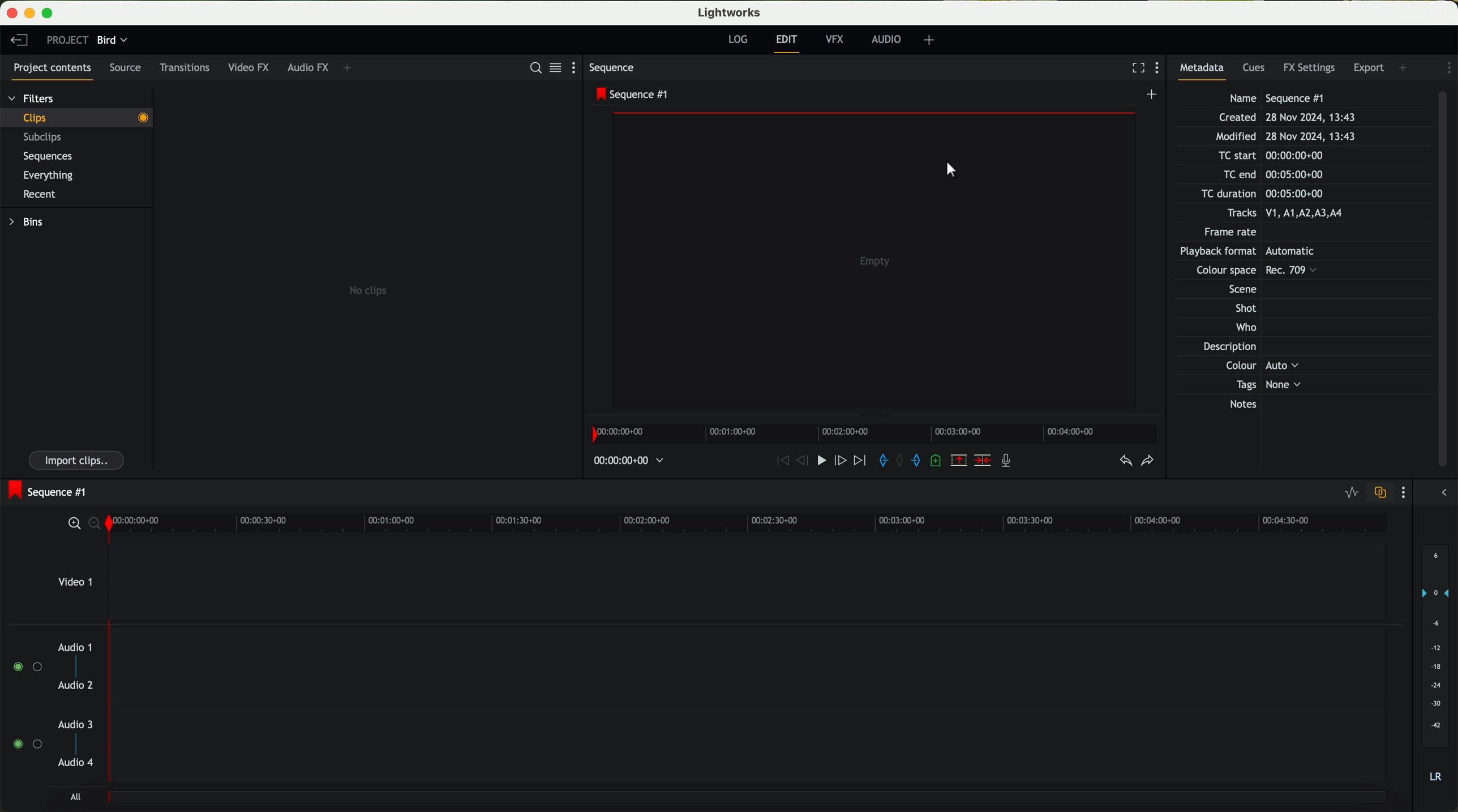 This screenshot has width=1458, height=812. I want to click on Shot, so click(1291, 307).